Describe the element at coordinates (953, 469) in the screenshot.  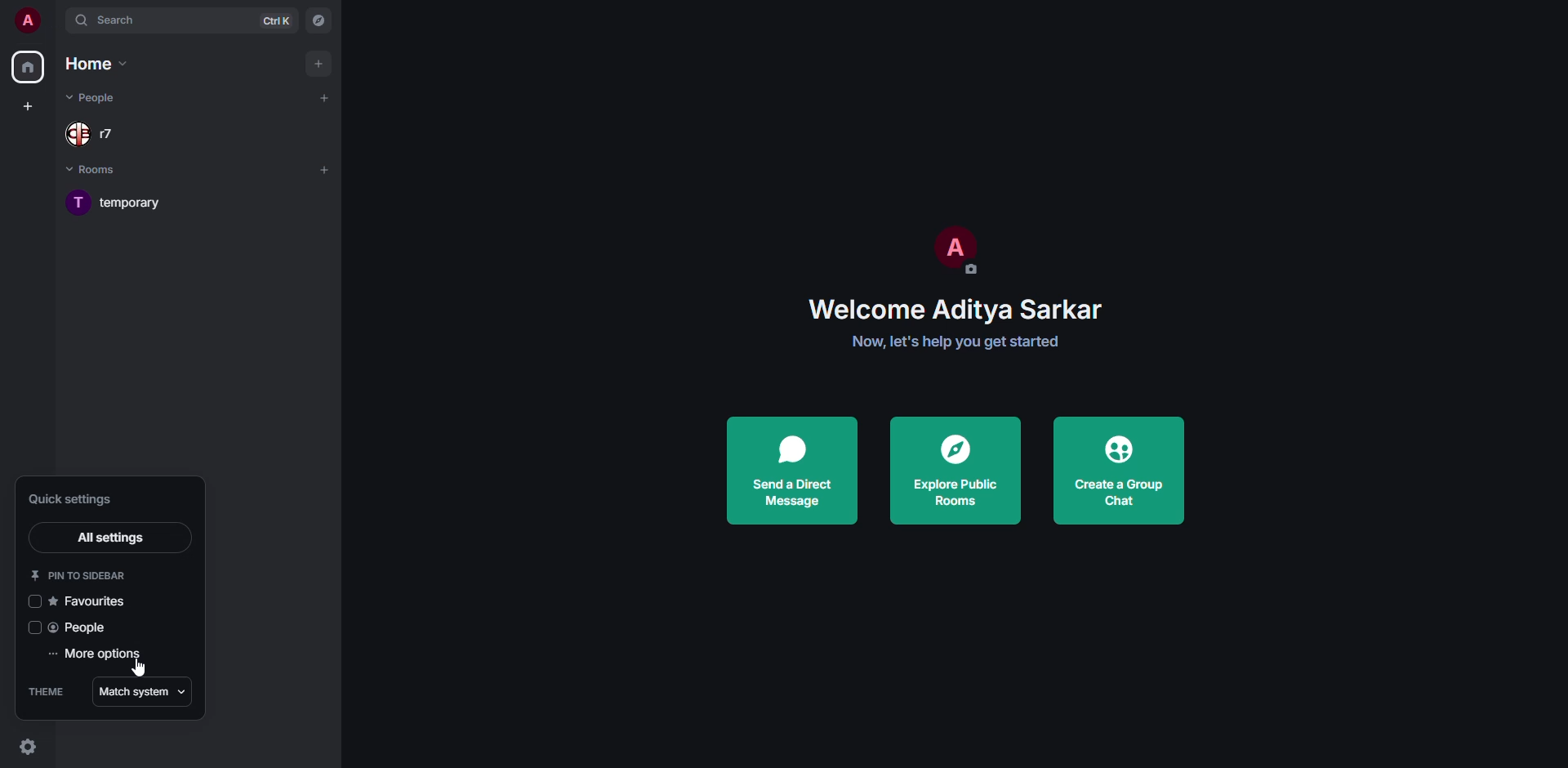
I see `explore public rooms` at that location.